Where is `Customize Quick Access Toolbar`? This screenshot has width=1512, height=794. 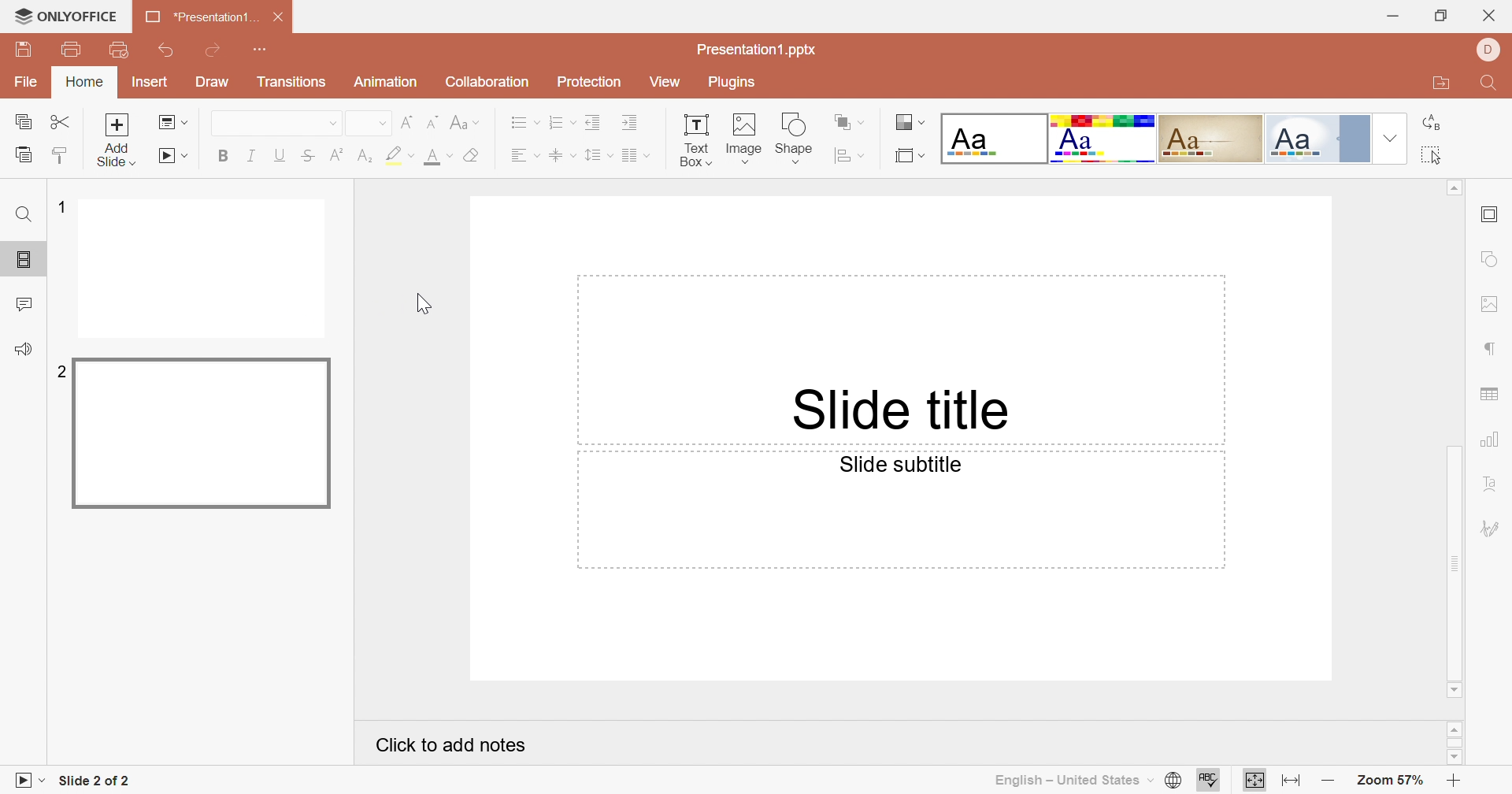 Customize Quick Access Toolbar is located at coordinates (259, 50).